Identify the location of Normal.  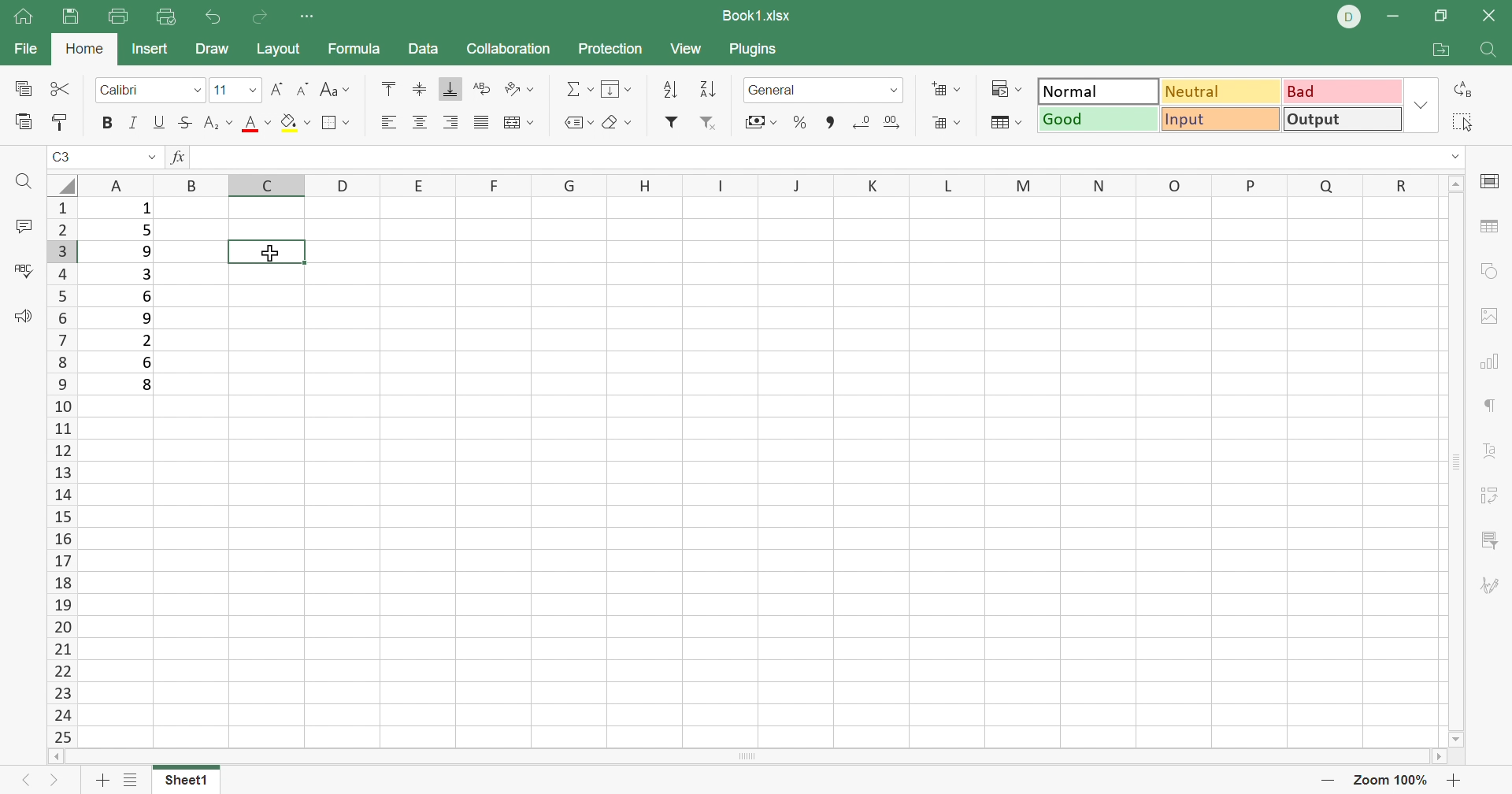
(1096, 88).